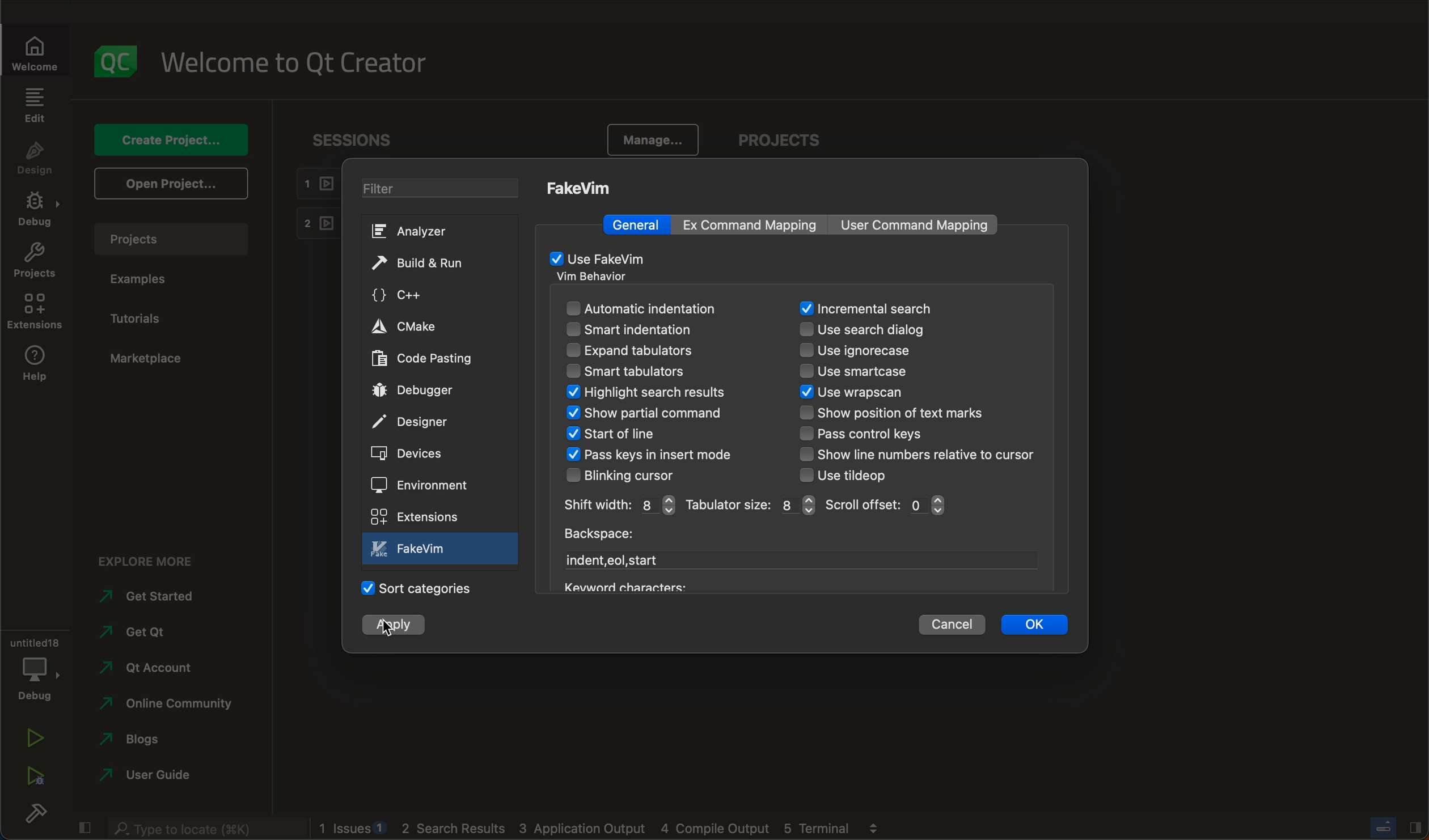 This screenshot has height=840, width=1429. What do you see at coordinates (158, 741) in the screenshot?
I see `blogs` at bounding box center [158, 741].